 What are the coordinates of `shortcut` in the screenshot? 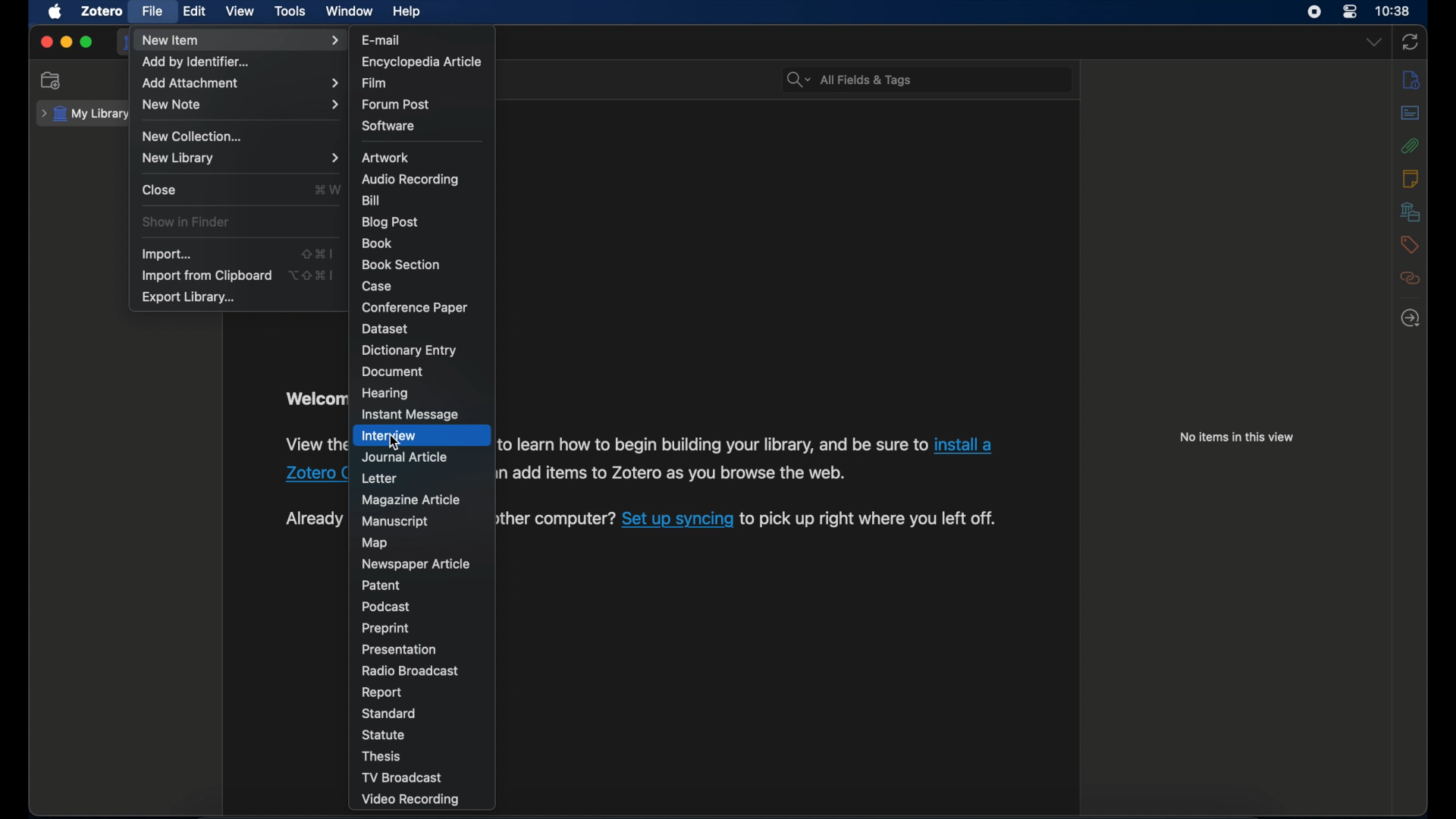 It's located at (325, 189).